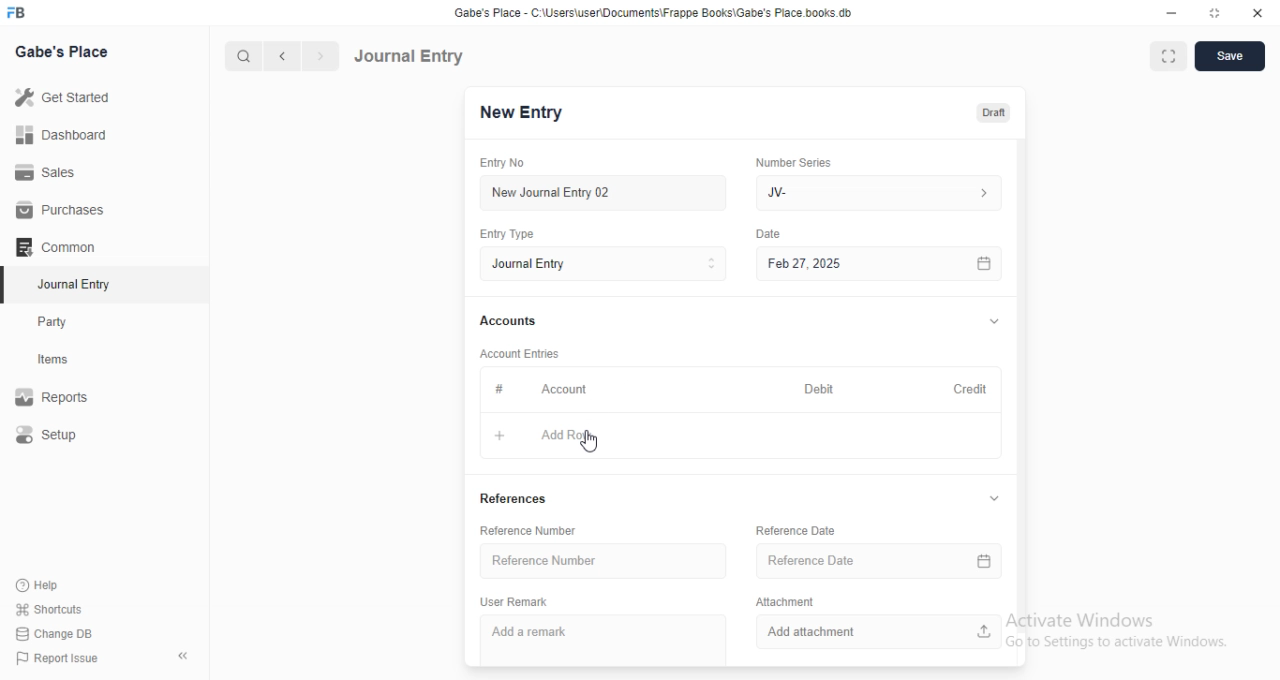 This screenshot has width=1280, height=680. What do you see at coordinates (55, 632) in the screenshot?
I see `| Change DB` at bounding box center [55, 632].